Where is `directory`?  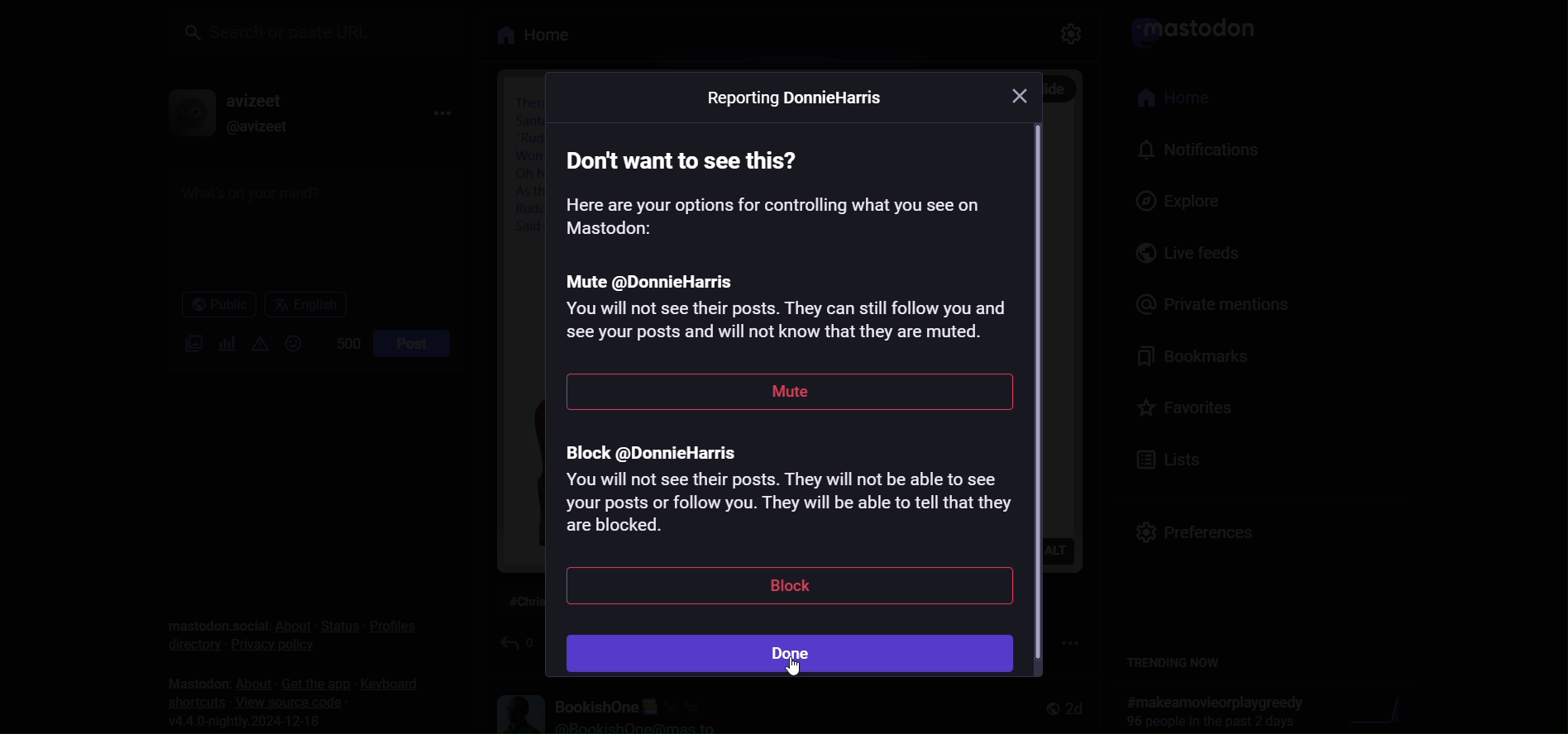
directory is located at coordinates (185, 643).